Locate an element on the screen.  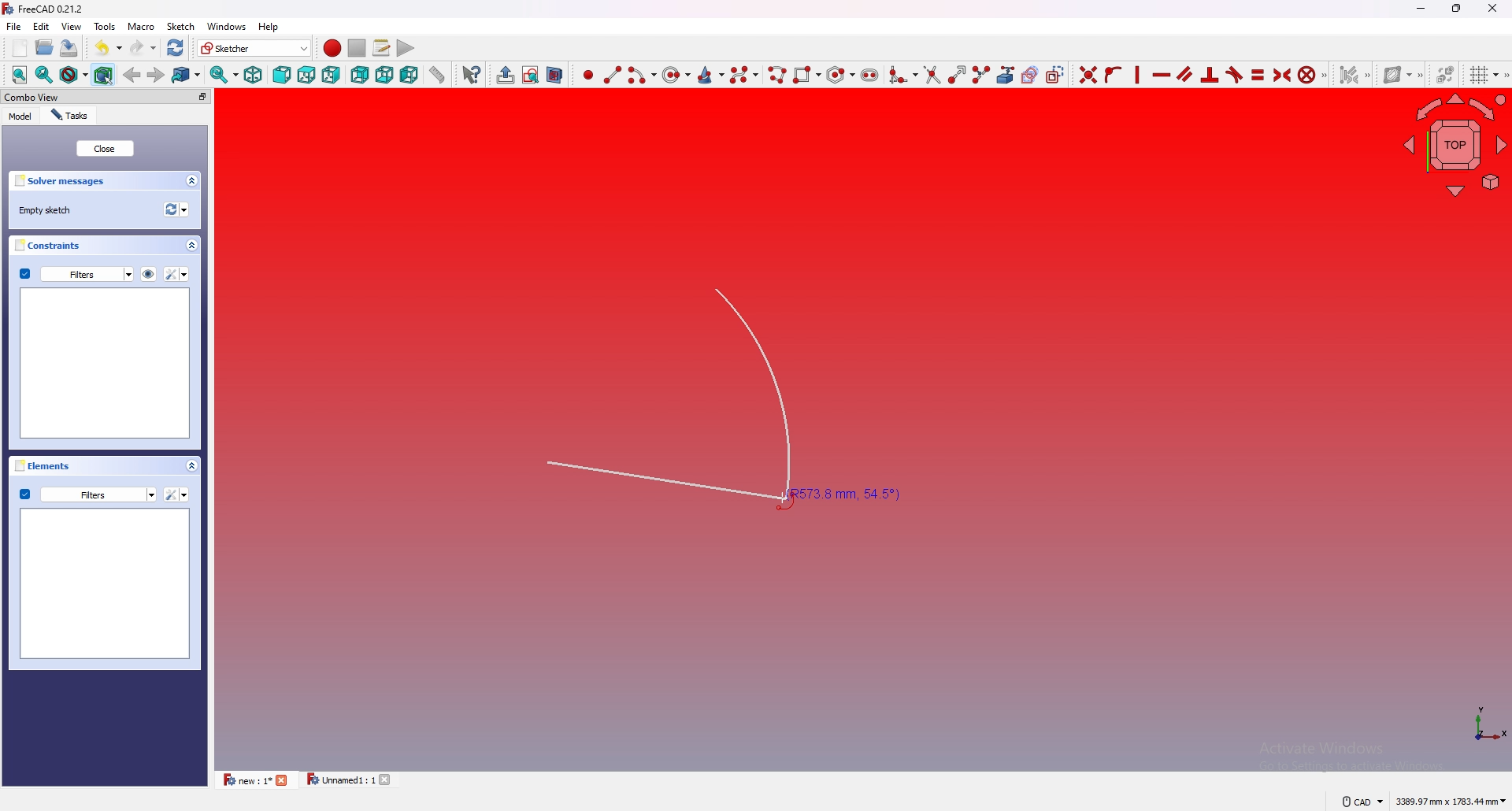
switch virtual space is located at coordinates (1446, 71).